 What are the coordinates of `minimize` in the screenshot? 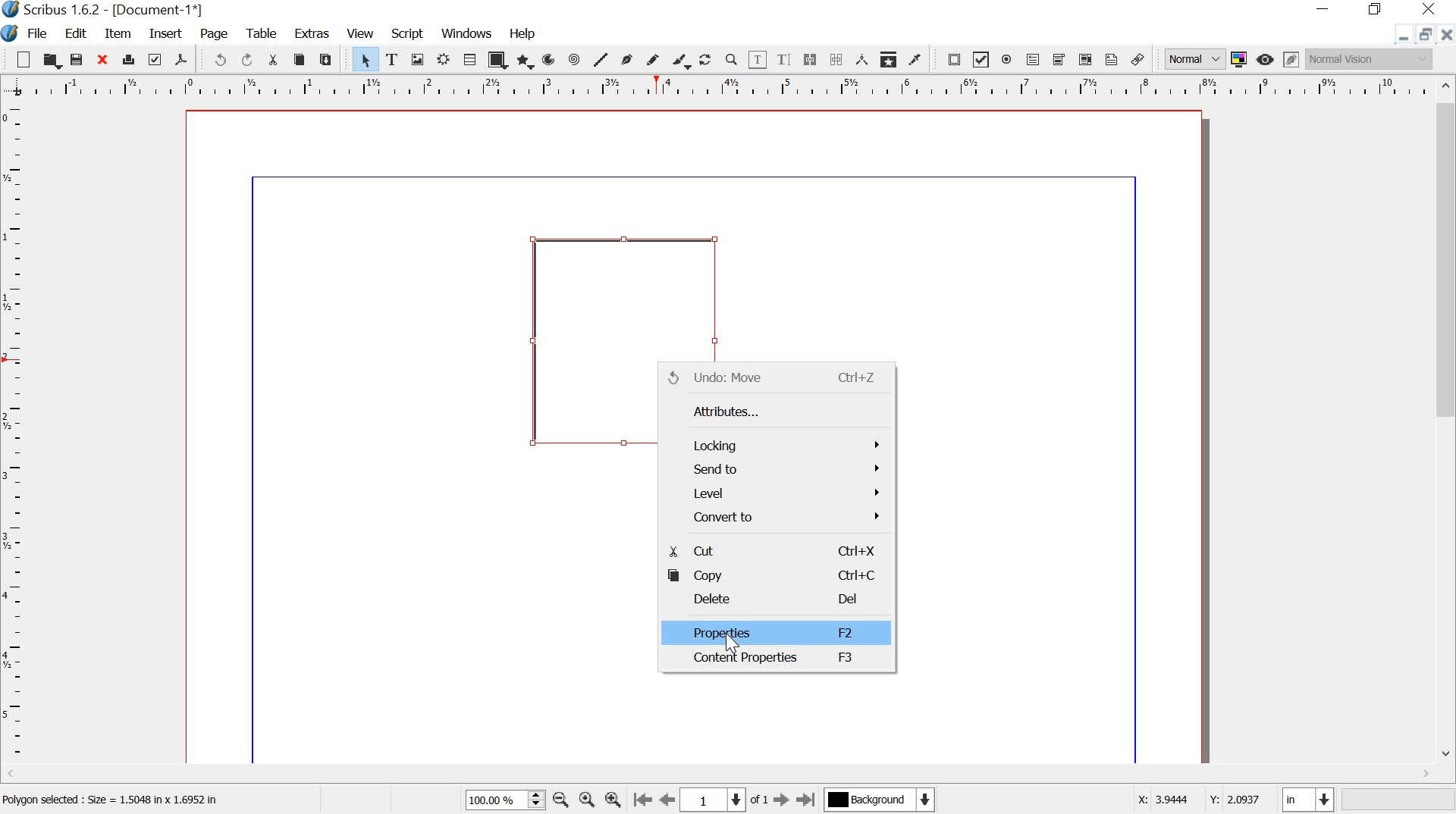 It's located at (1325, 8).